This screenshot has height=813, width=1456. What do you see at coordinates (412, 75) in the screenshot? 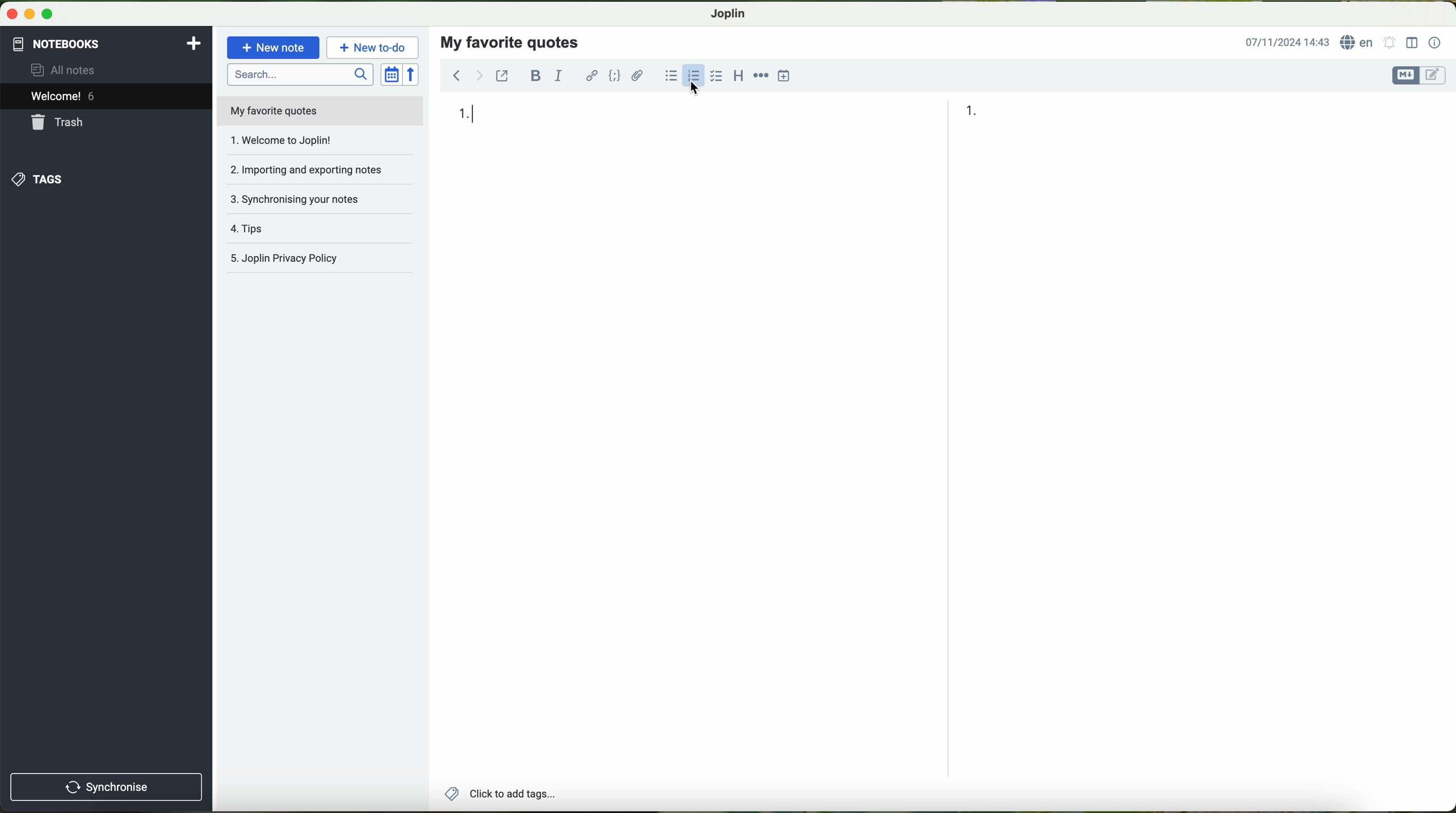
I see `reverse sort order` at bounding box center [412, 75].